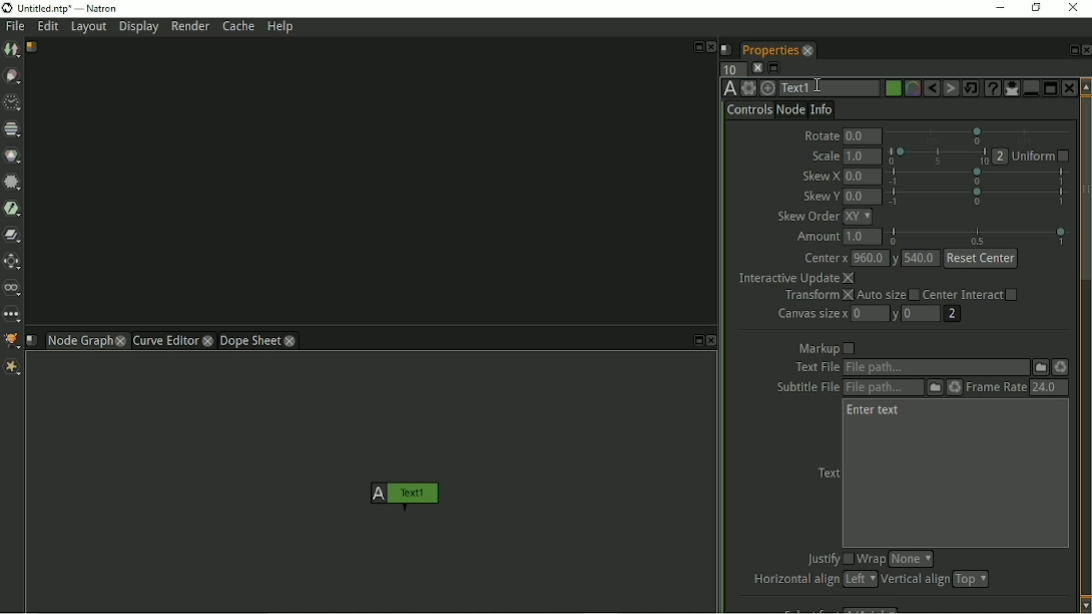 This screenshot has width=1092, height=614. I want to click on Auto size, so click(887, 296).